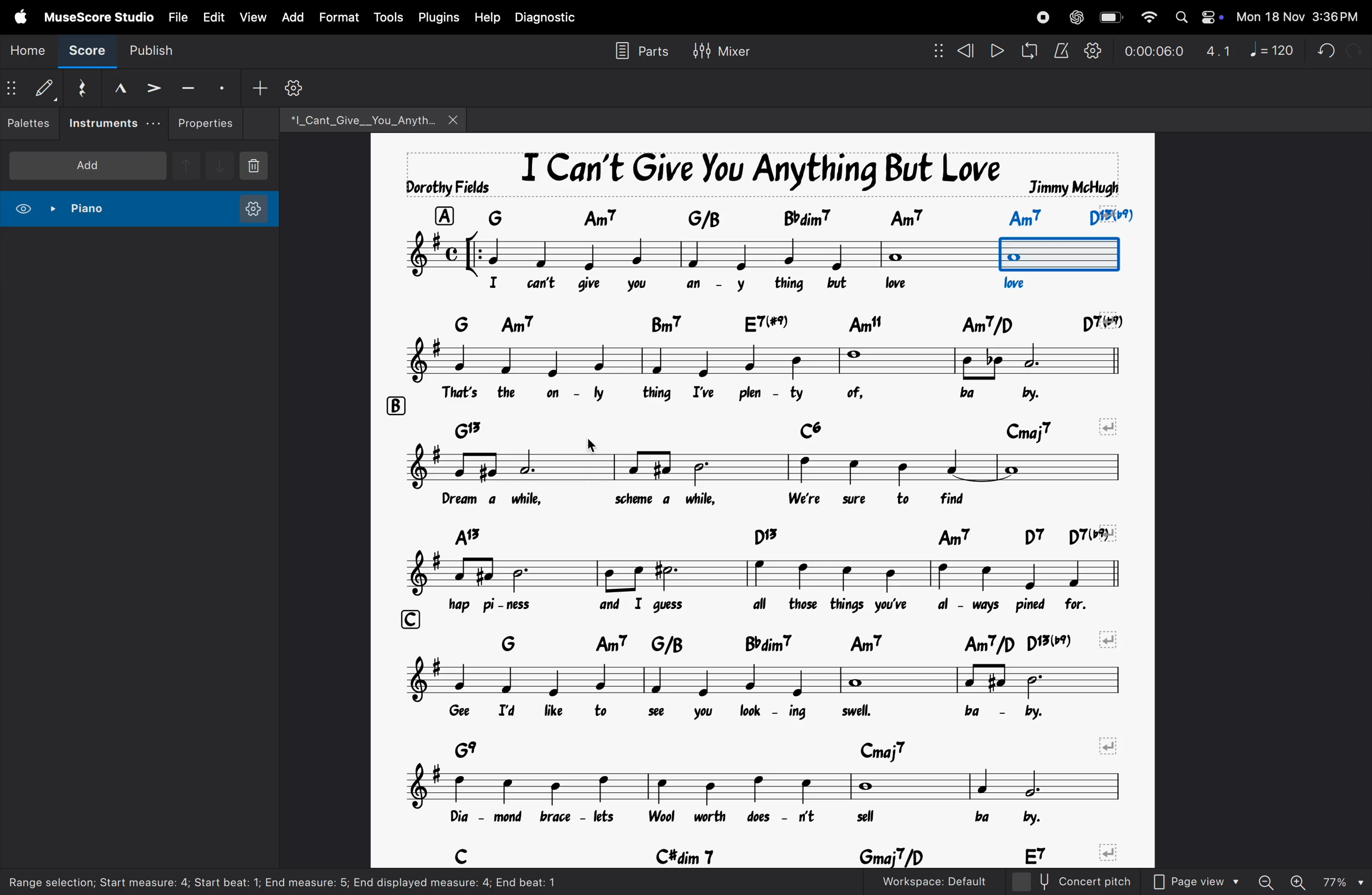  Describe the element at coordinates (768, 785) in the screenshot. I see `notes` at that location.